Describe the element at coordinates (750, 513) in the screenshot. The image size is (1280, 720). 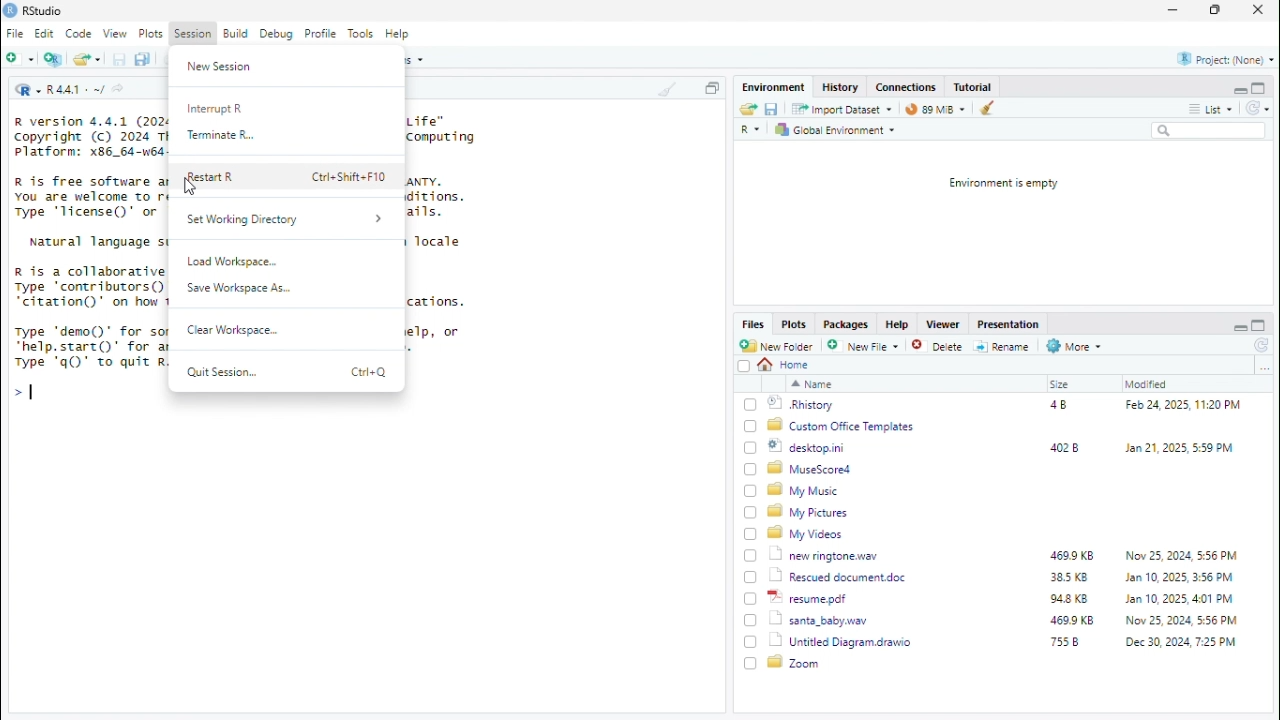
I see `Checkbox` at that location.